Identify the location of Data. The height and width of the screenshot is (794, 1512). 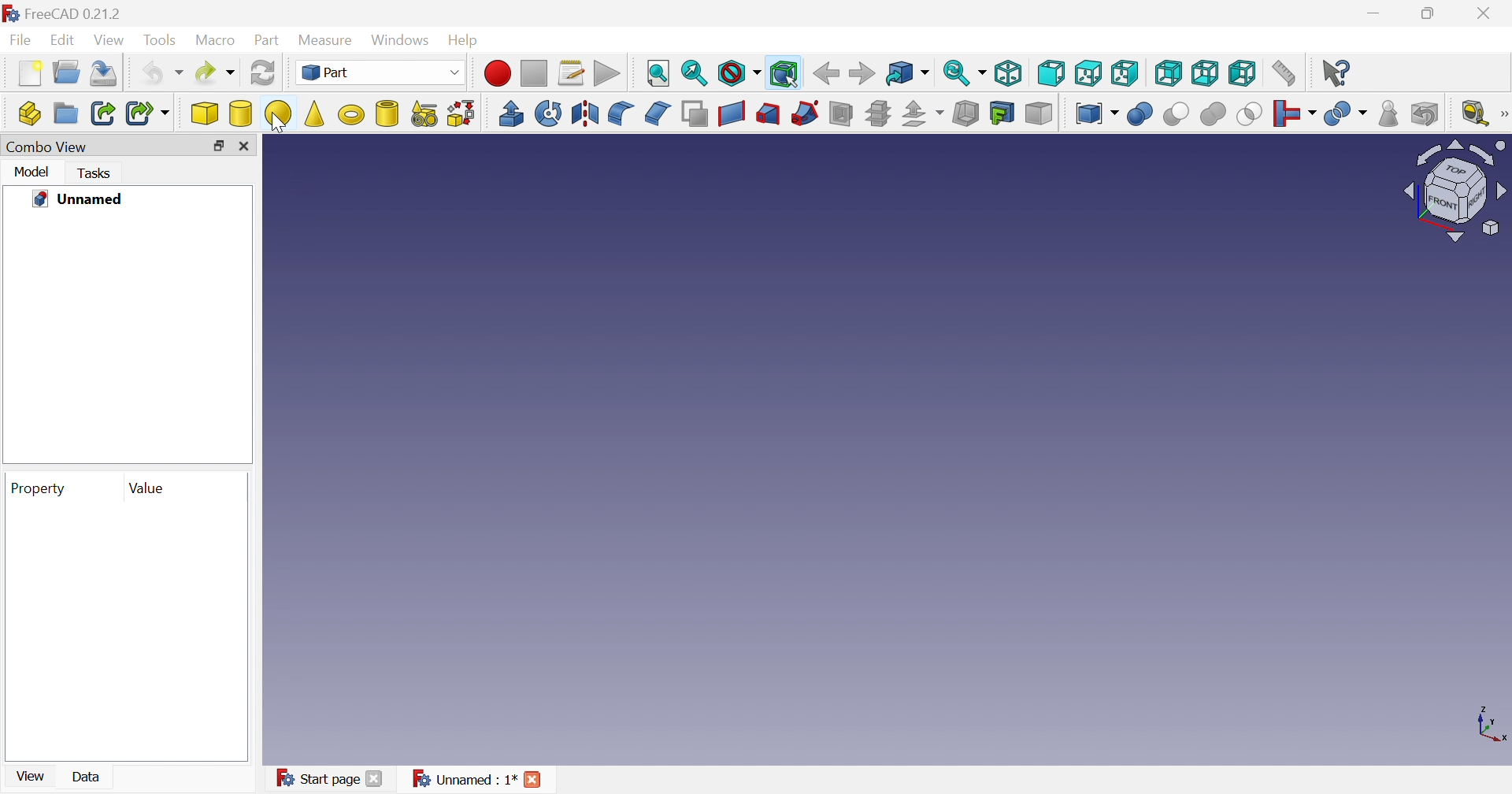
(92, 778).